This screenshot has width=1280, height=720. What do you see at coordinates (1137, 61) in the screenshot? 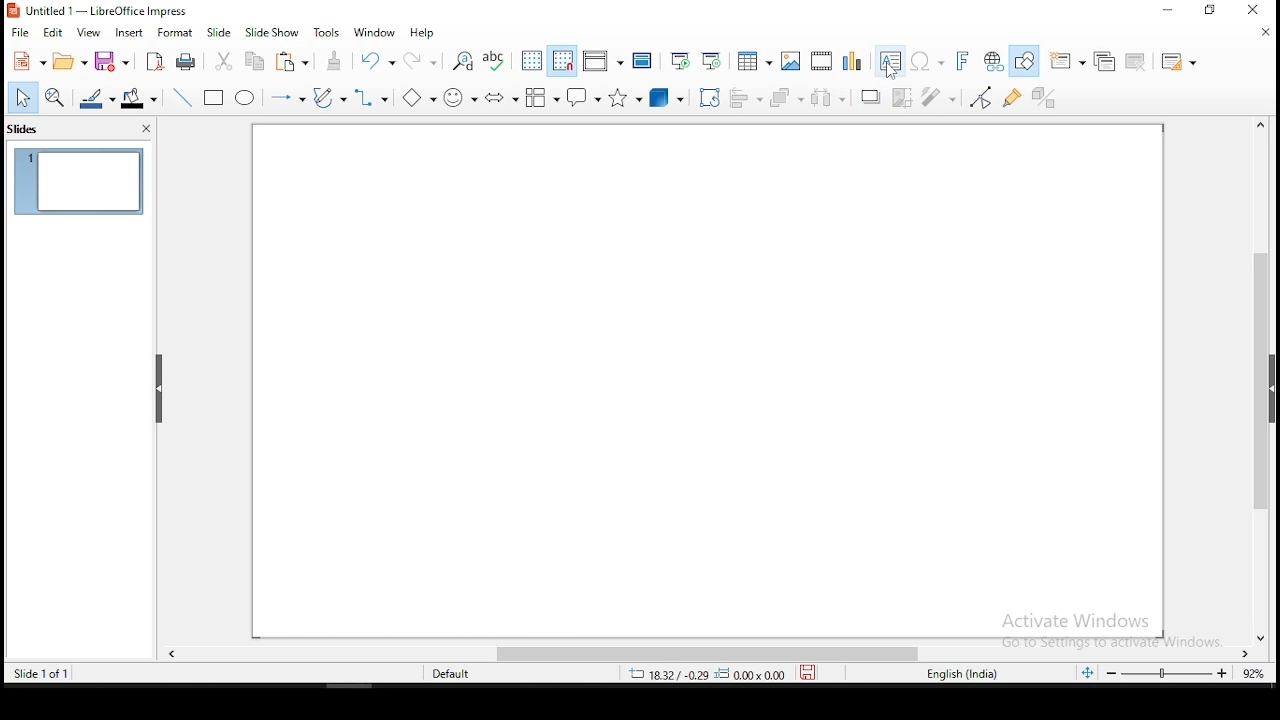
I see `delete slide` at bounding box center [1137, 61].